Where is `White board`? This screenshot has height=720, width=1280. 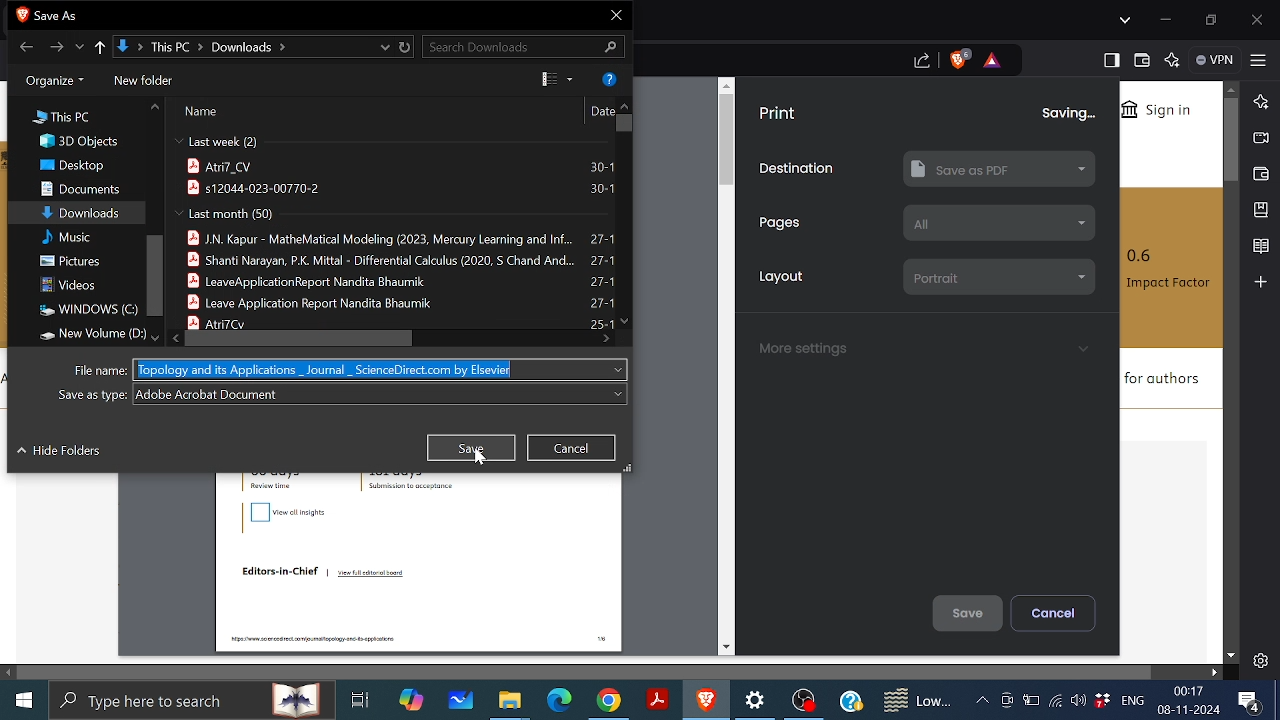 White board is located at coordinates (461, 704).